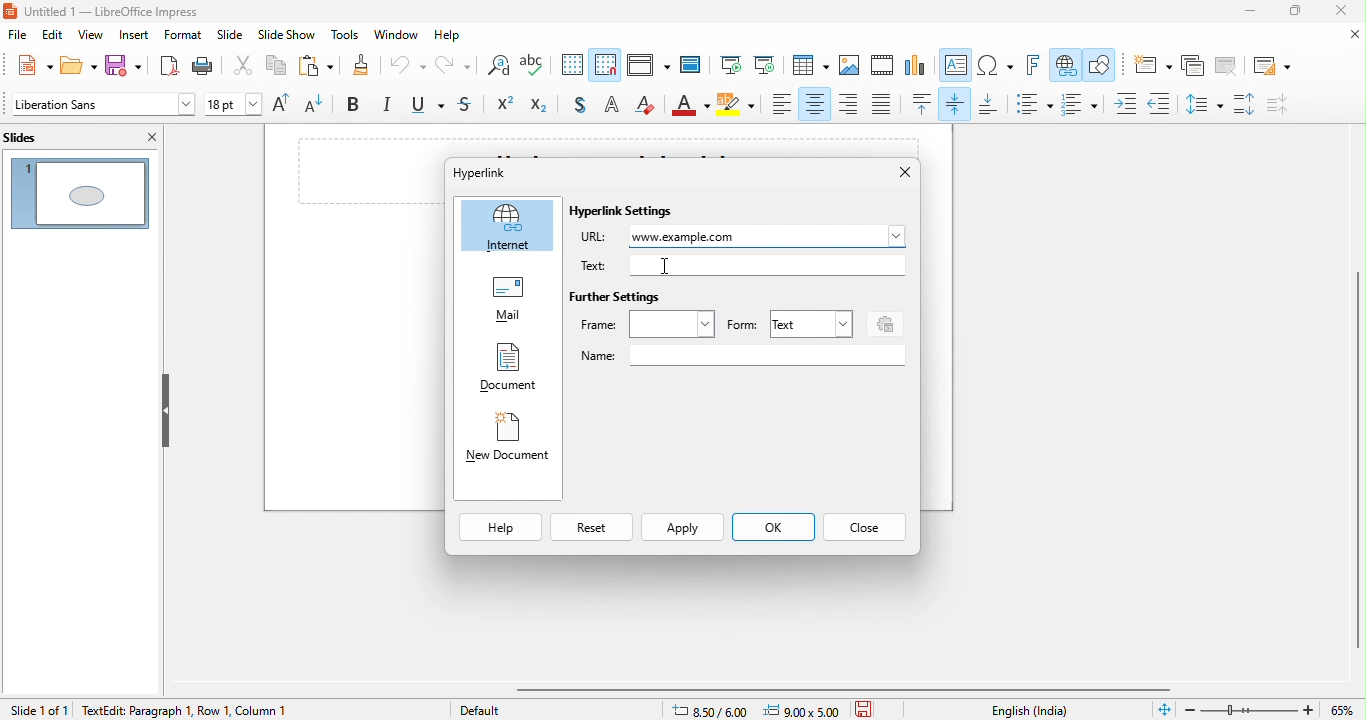 This screenshot has width=1366, height=720. I want to click on redo, so click(452, 68).